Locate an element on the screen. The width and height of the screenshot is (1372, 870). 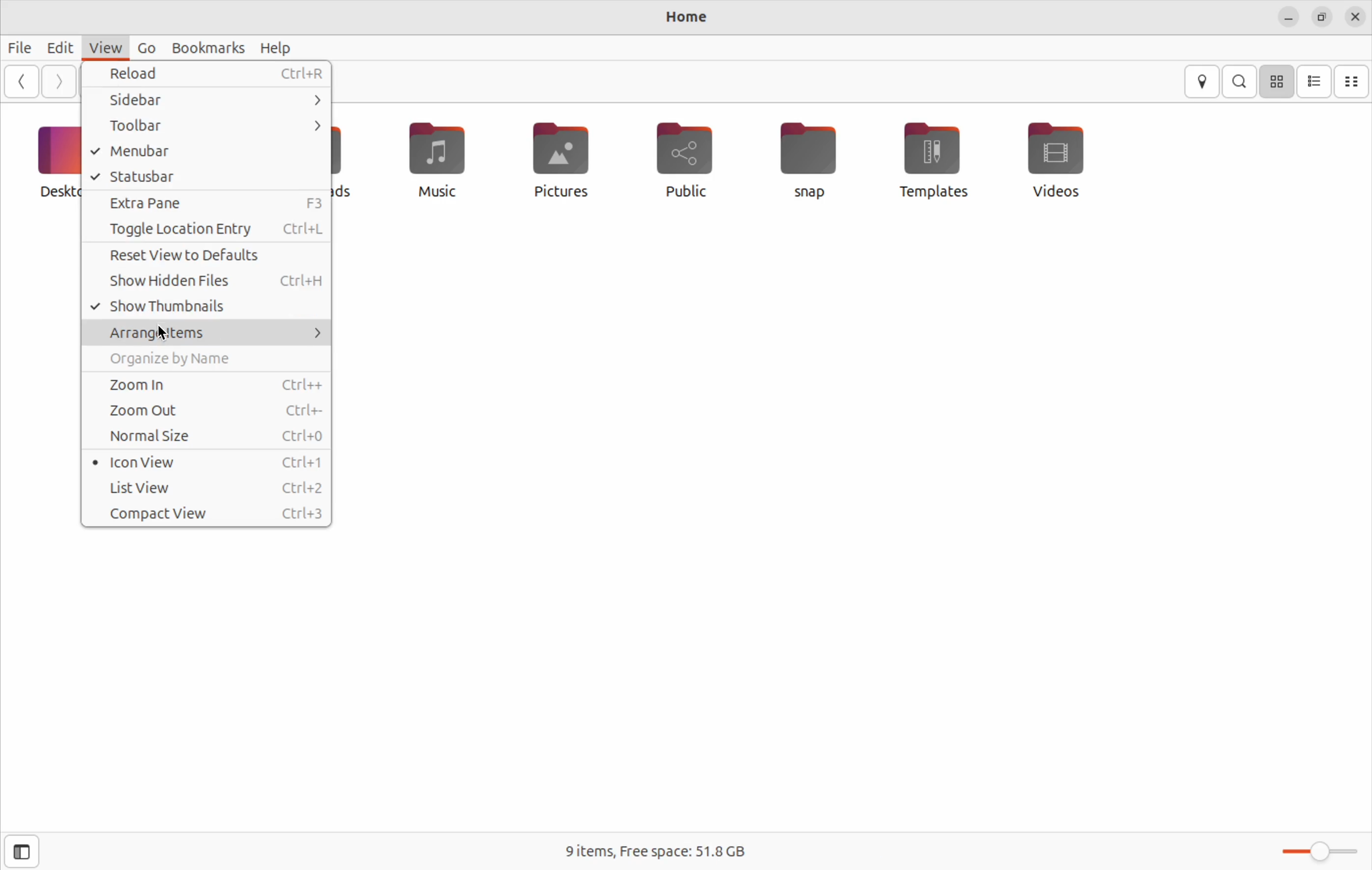
desktop icon  is located at coordinates (50, 161).